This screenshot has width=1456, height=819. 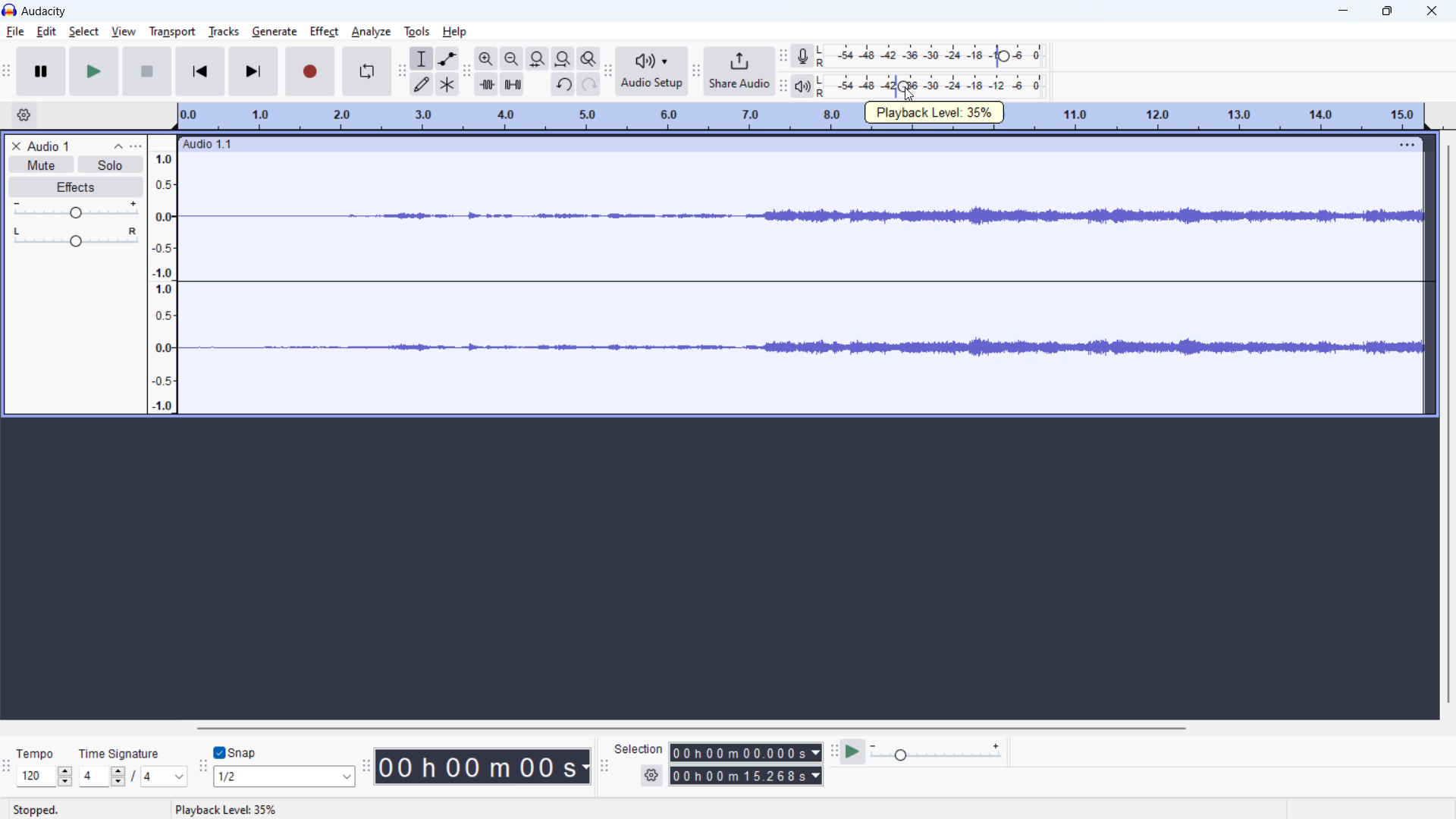 I want to click on recording meter, so click(x=803, y=56).